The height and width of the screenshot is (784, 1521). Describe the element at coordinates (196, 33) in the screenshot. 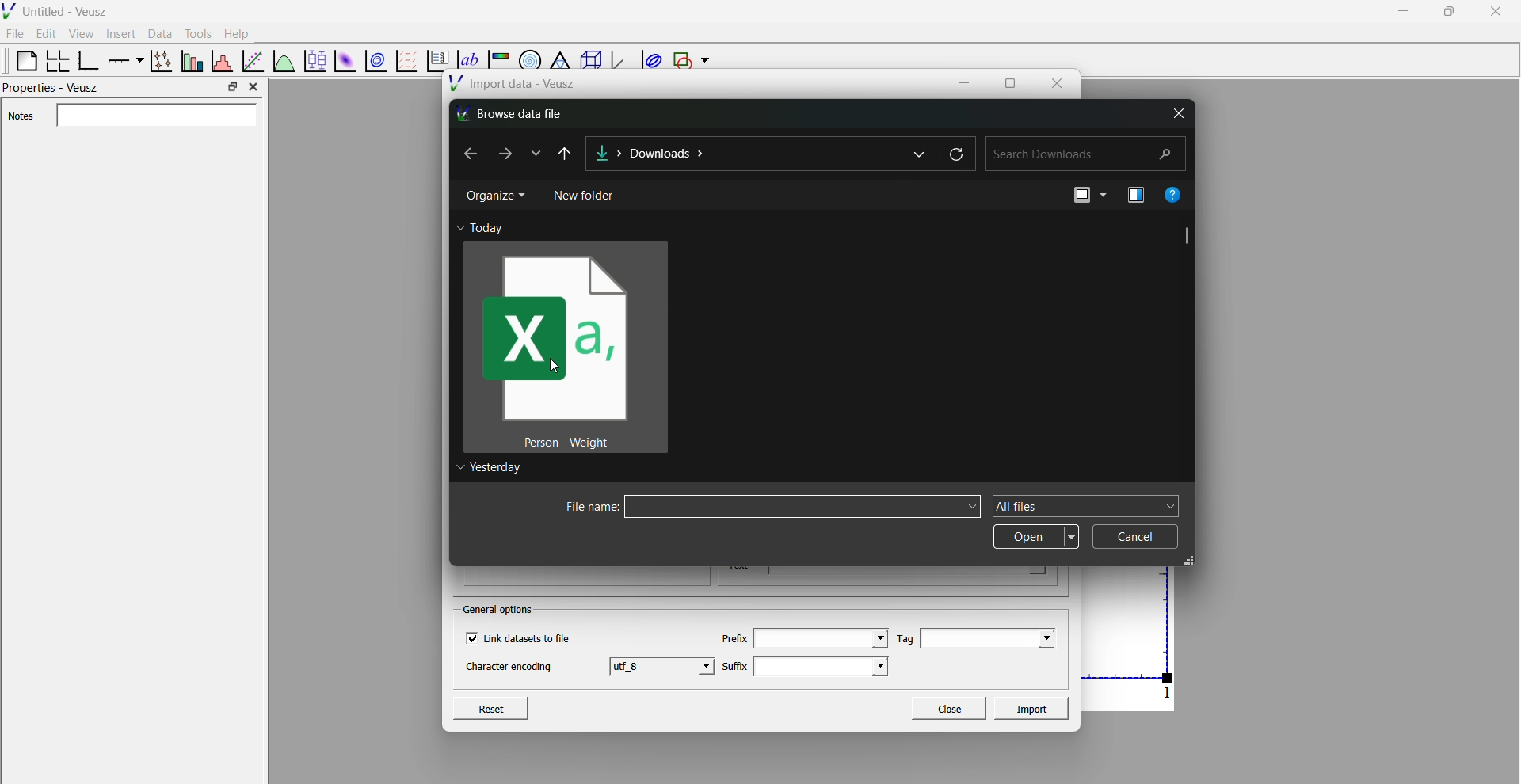

I see `tools` at that location.